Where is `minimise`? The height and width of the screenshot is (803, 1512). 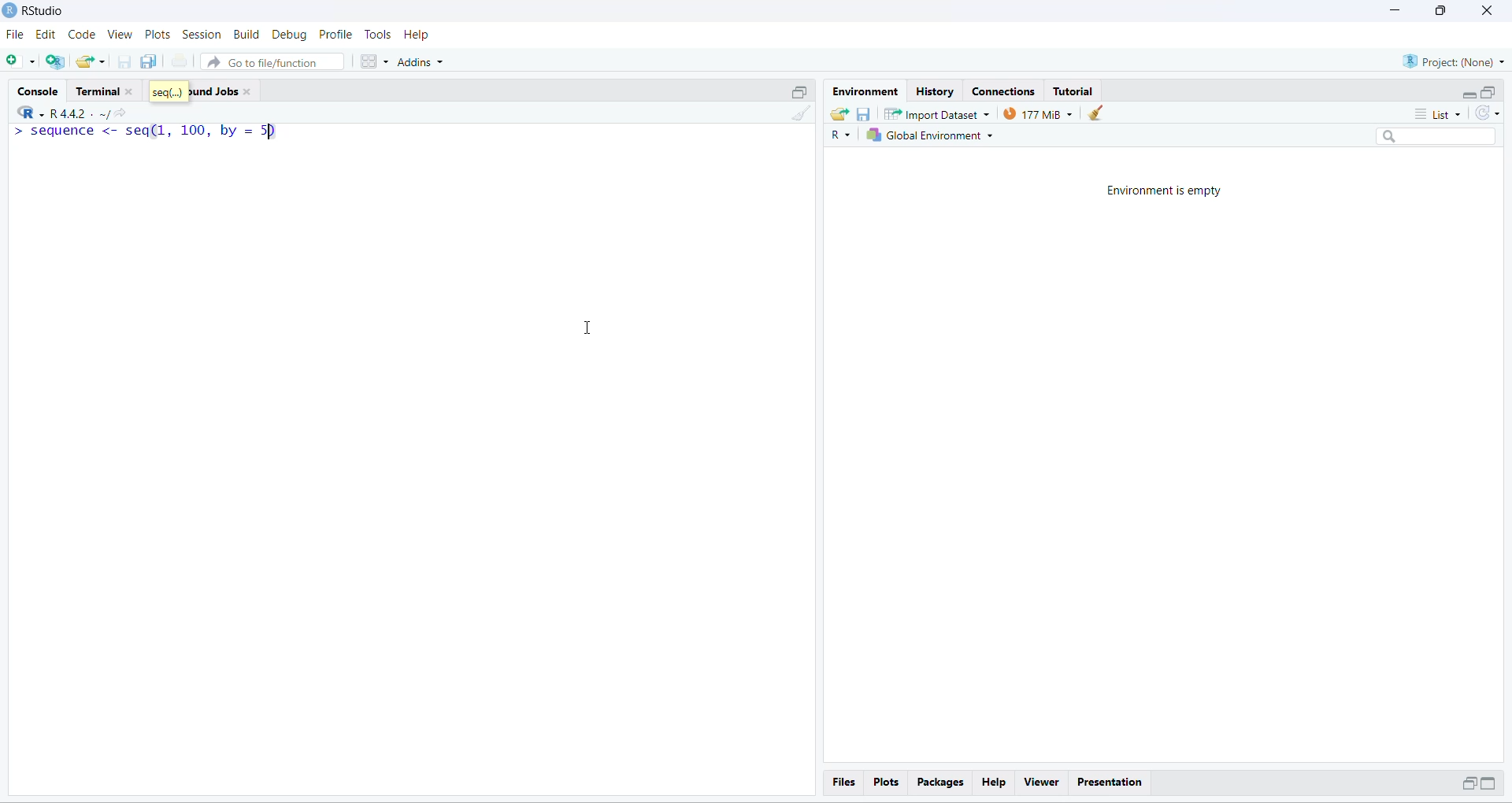 minimise is located at coordinates (1396, 9).